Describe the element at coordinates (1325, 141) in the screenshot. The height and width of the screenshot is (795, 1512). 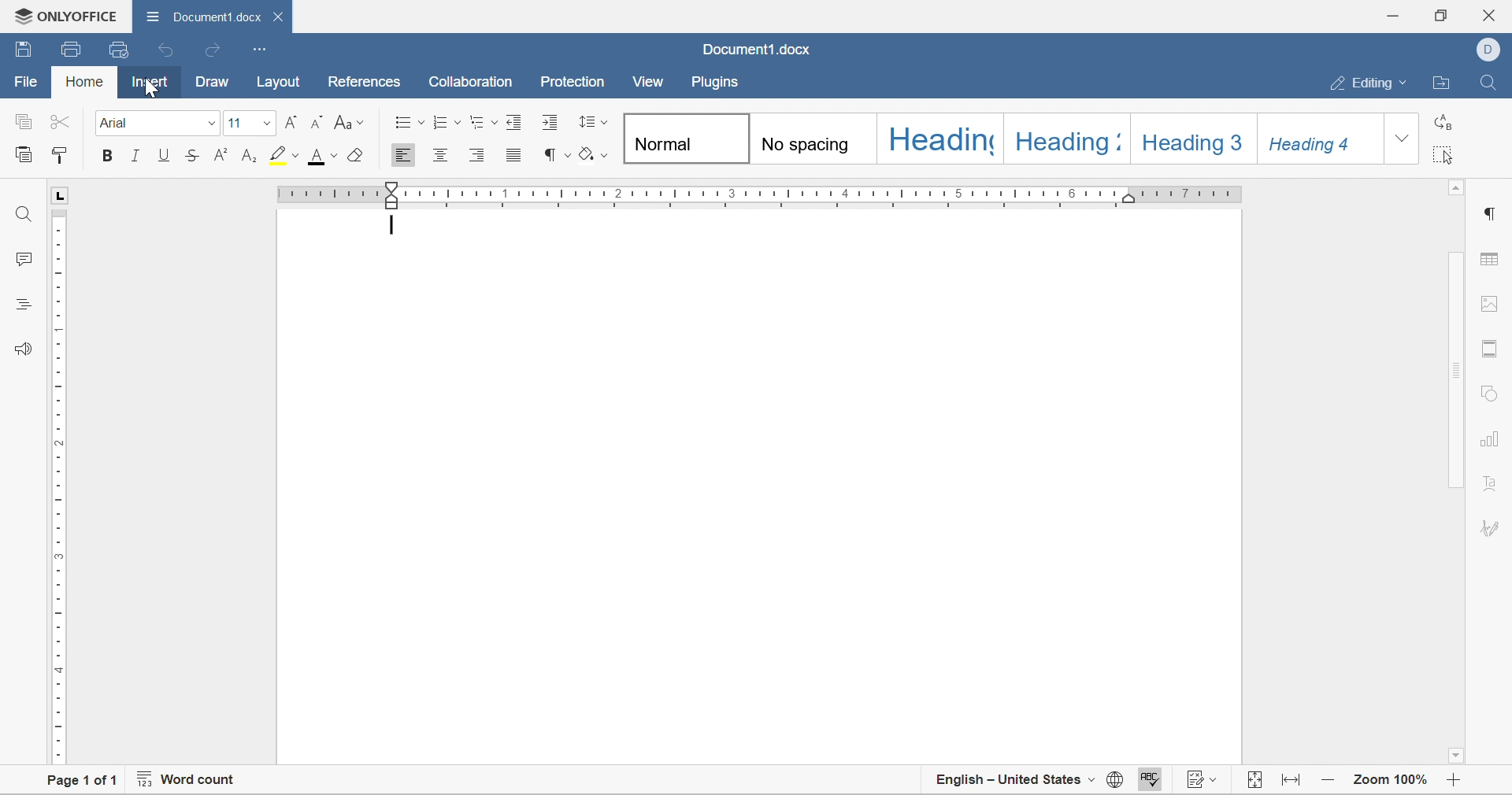
I see `Heading4` at that location.